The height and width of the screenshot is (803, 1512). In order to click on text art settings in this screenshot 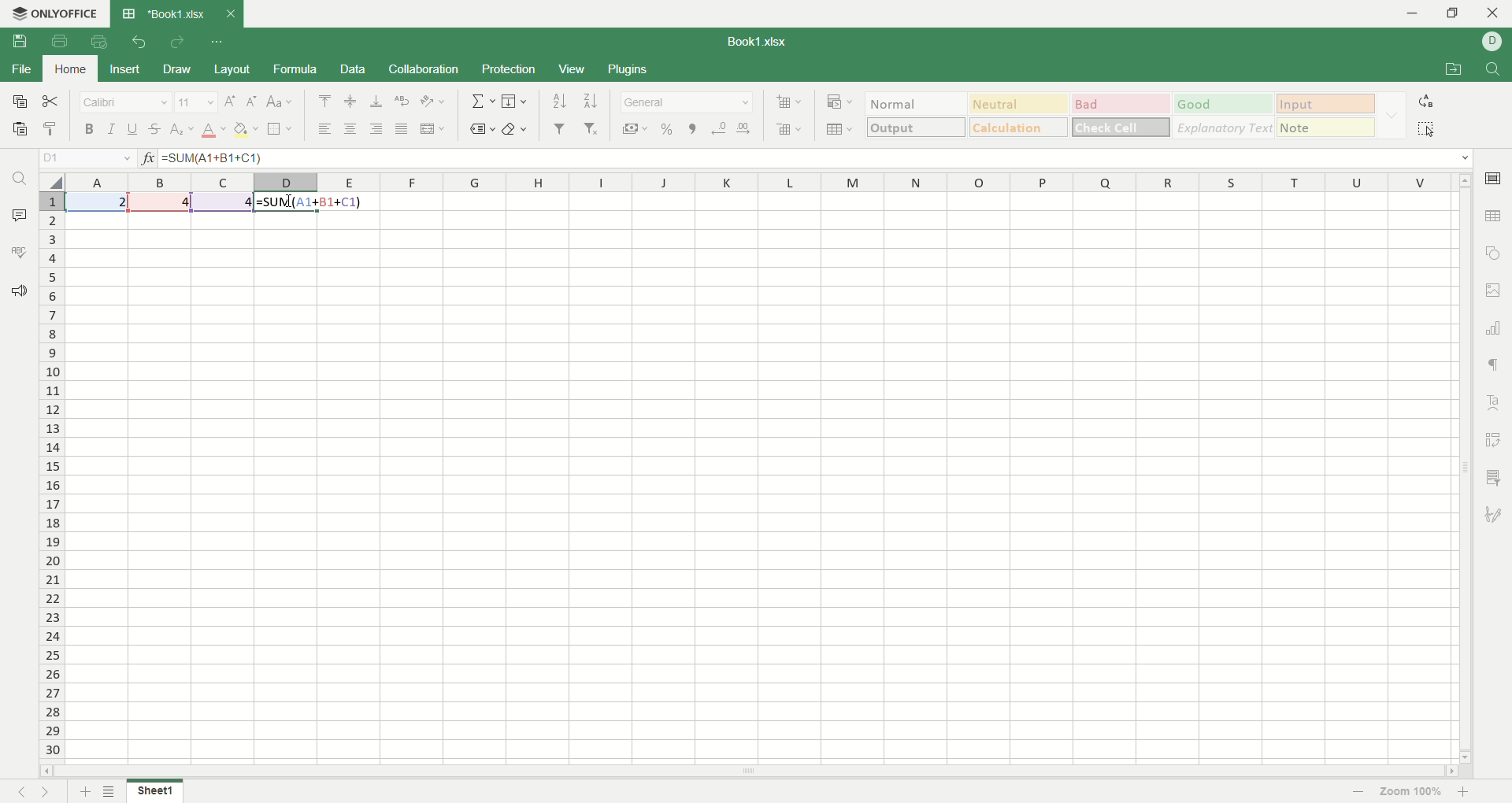, I will do `click(1495, 401)`.